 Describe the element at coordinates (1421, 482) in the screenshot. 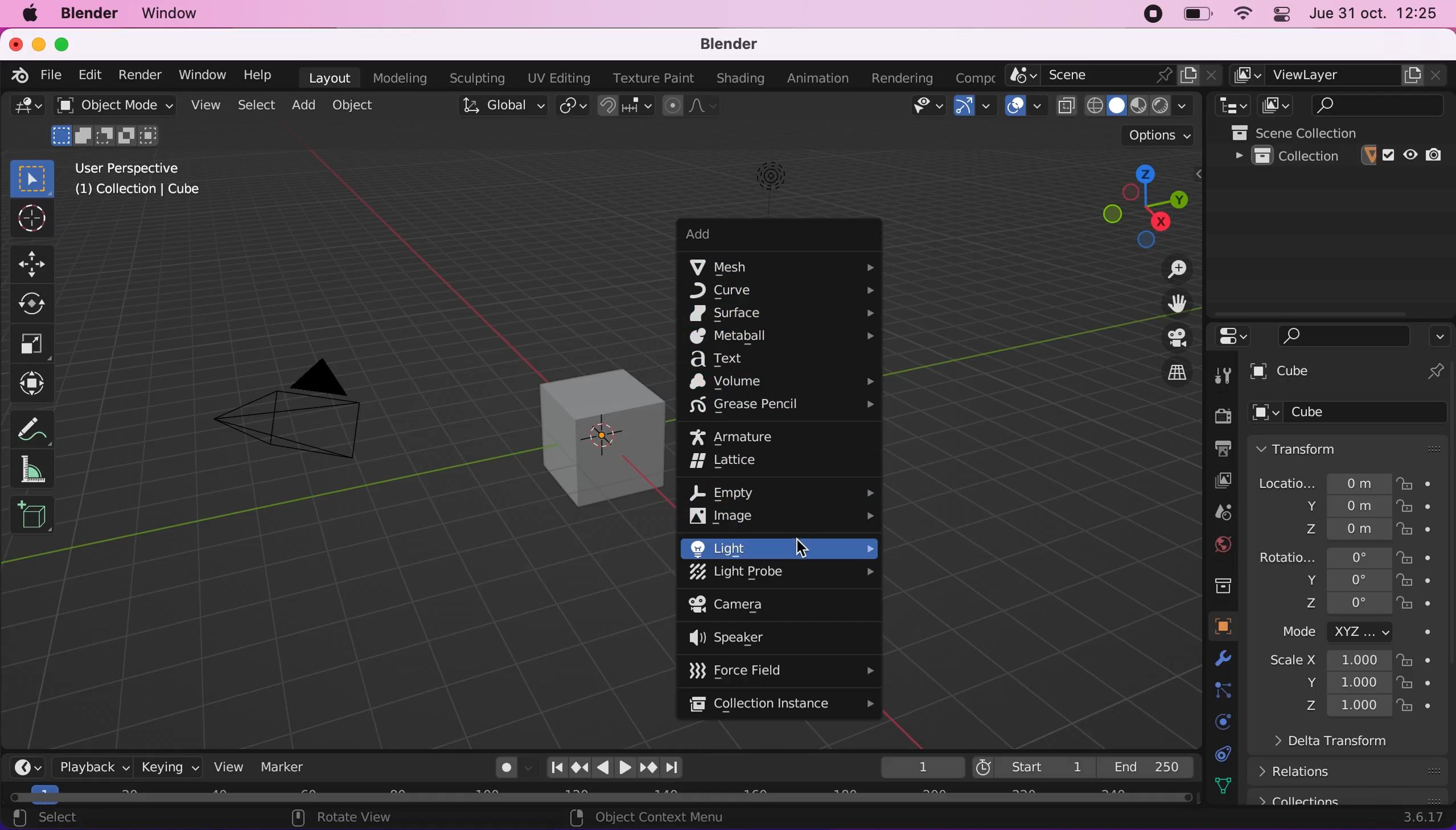

I see `lock` at that location.